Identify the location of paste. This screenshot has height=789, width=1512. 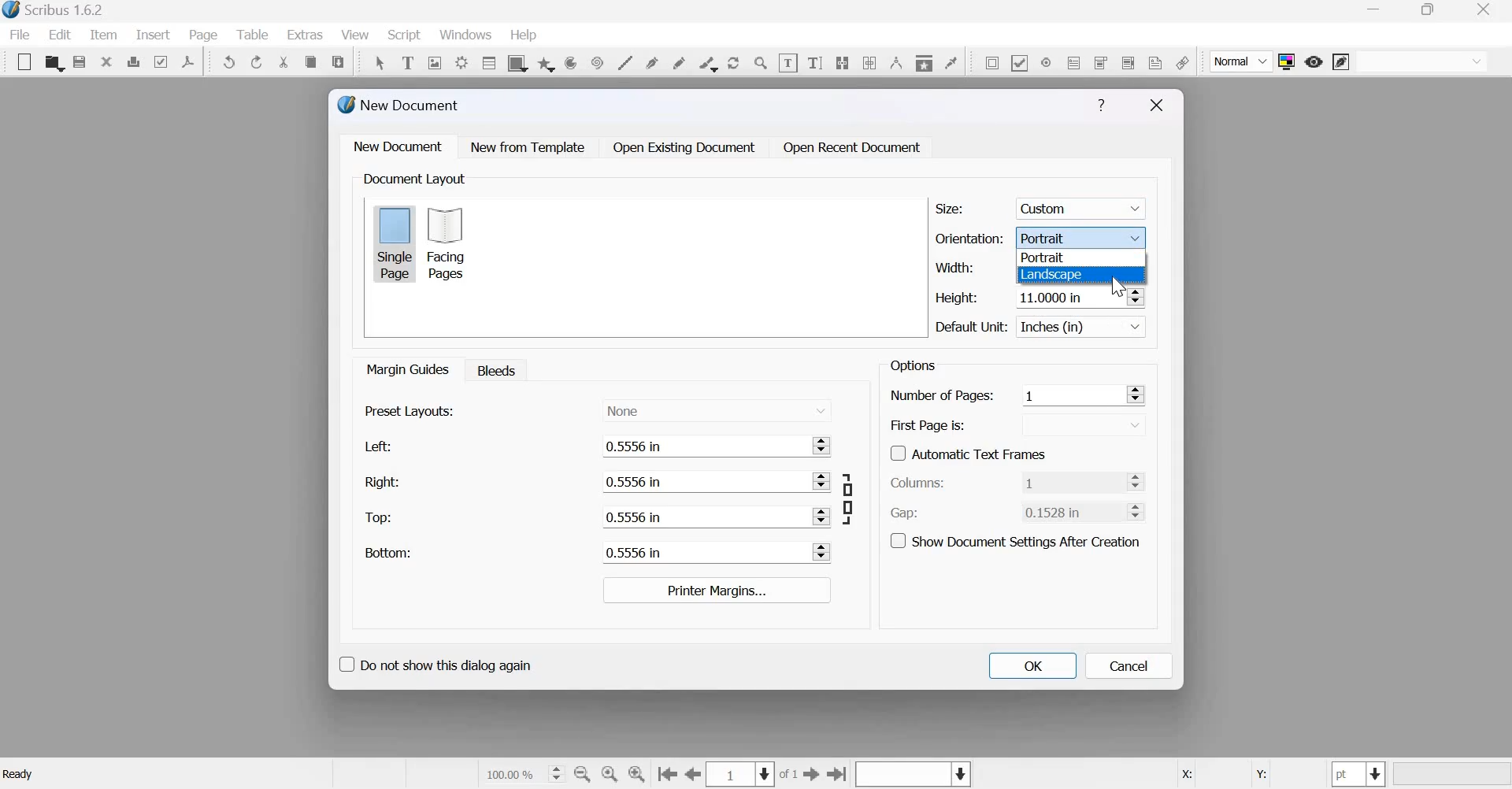
(339, 60).